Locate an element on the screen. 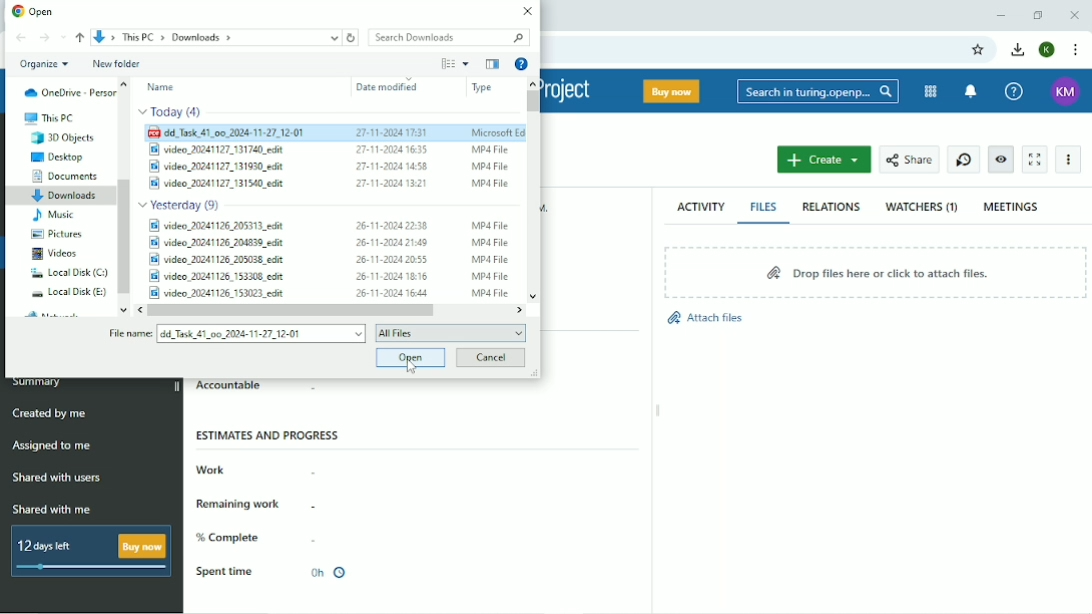 The image size is (1092, 614). Forward is located at coordinates (44, 38).